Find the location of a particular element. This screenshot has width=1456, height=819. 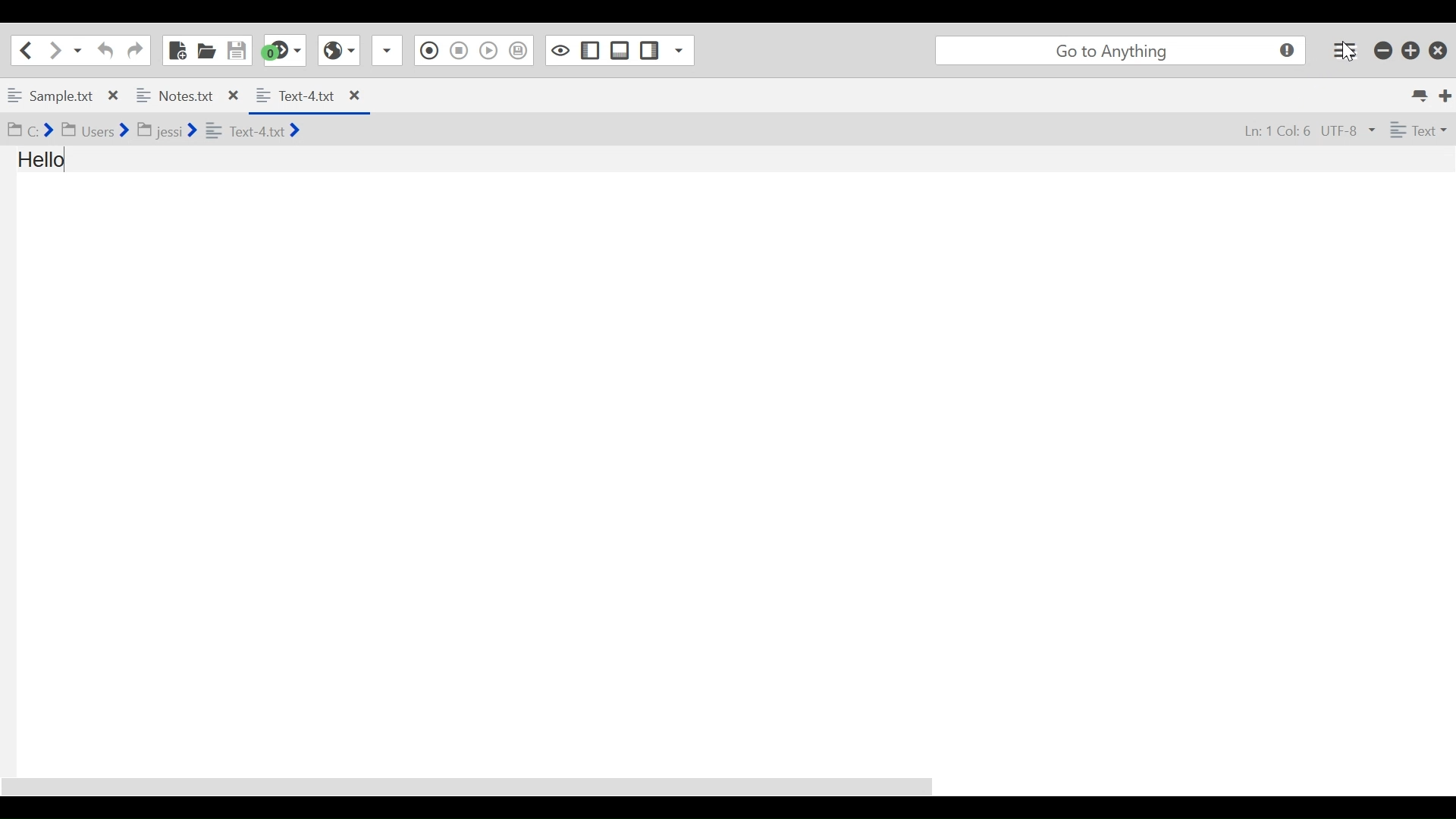

File Position is located at coordinates (1278, 130).